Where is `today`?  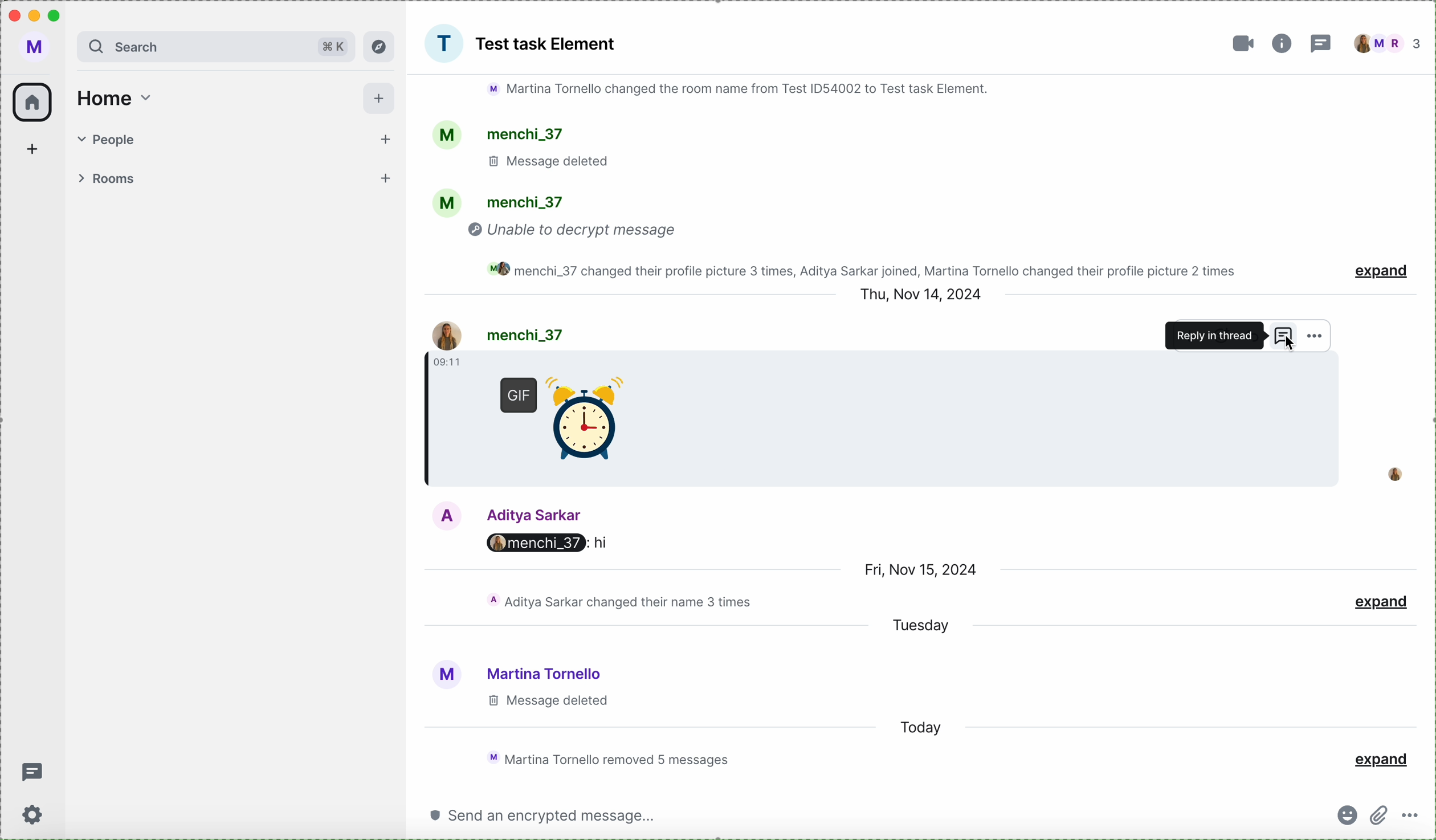
today is located at coordinates (919, 728).